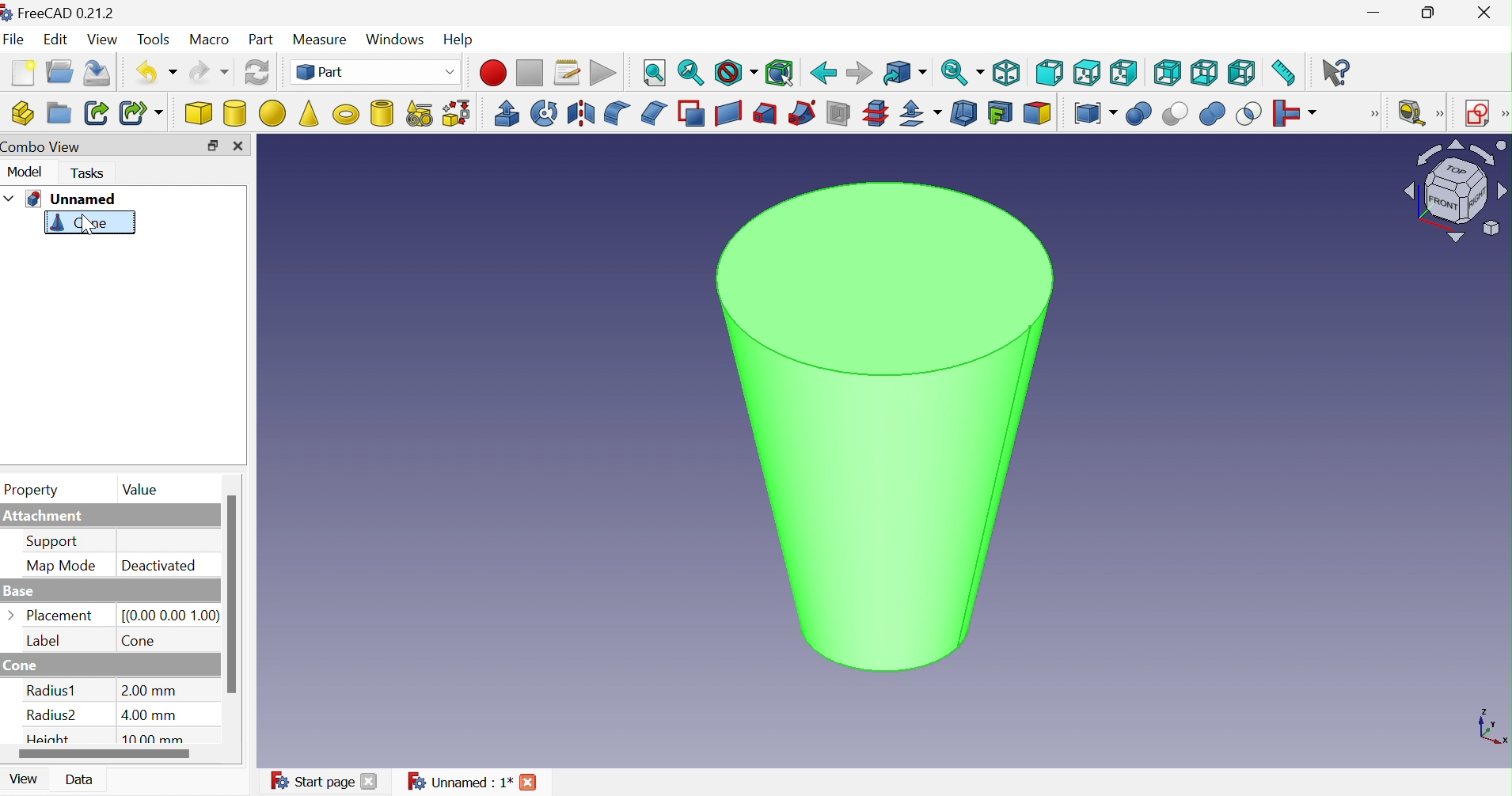  I want to click on Create tube, so click(379, 112).